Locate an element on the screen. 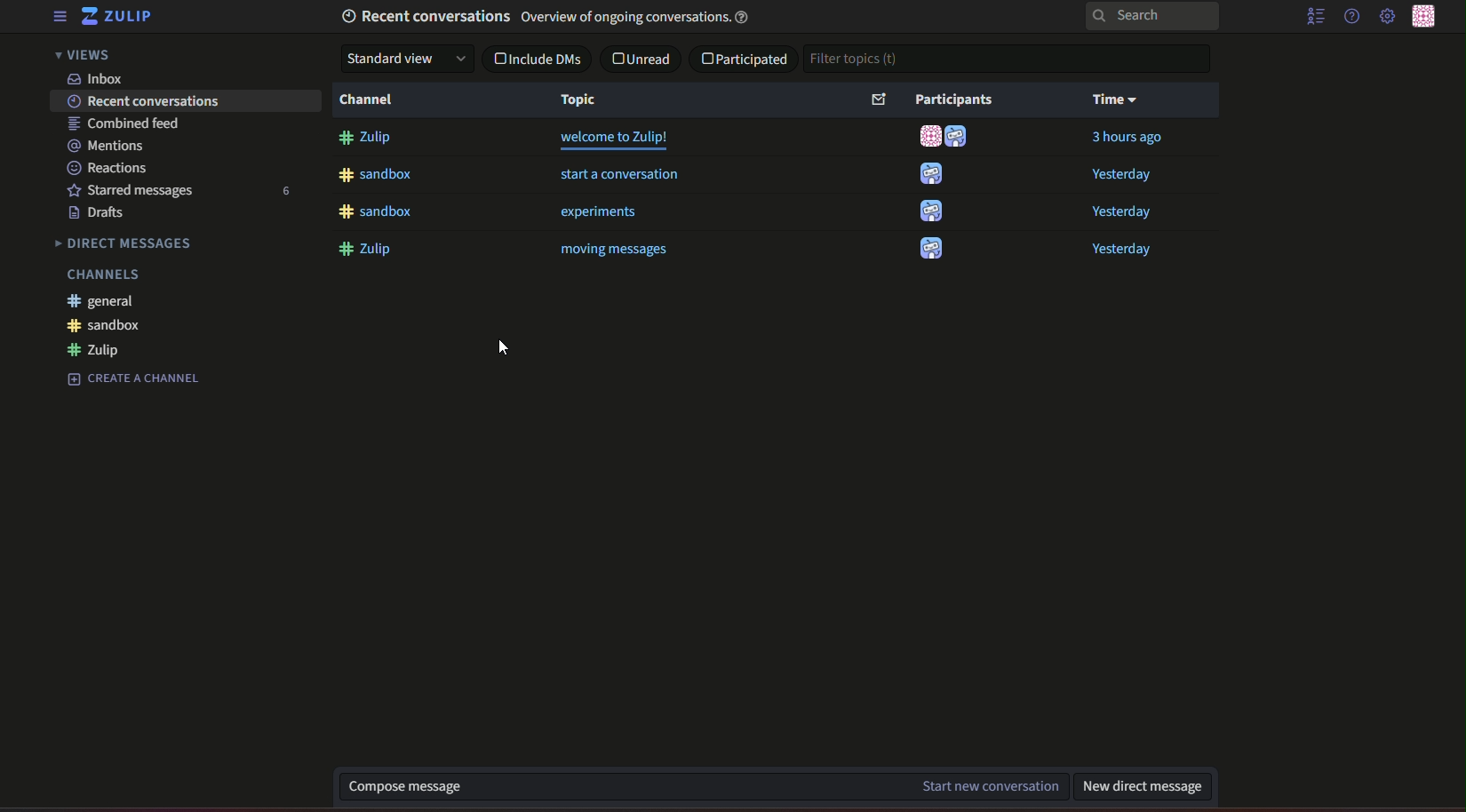  icon is located at coordinates (930, 174).